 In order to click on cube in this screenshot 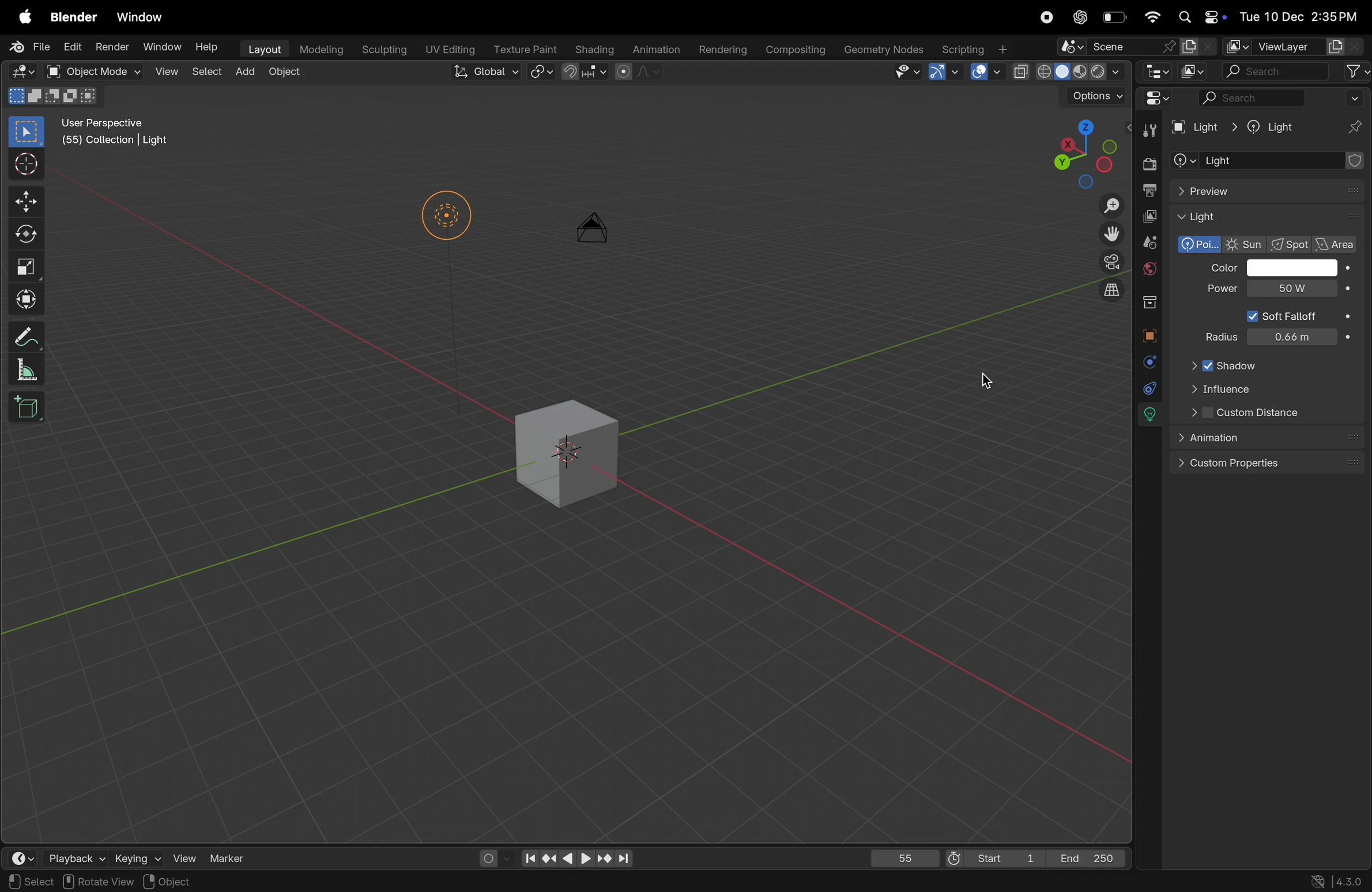, I will do `click(30, 411)`.